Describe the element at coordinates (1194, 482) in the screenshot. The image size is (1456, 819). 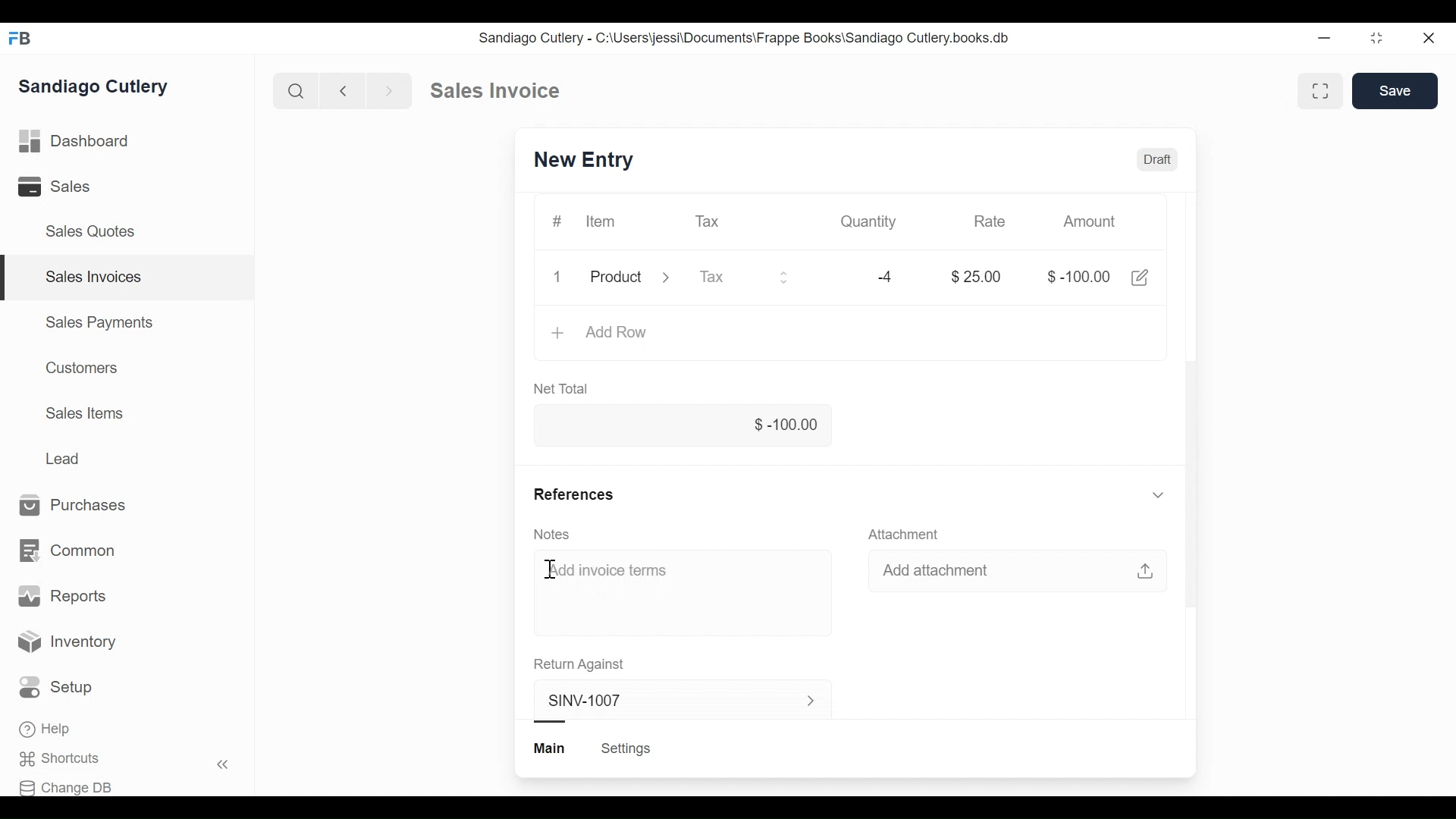
I see `Vertical scrollbar` at that location.